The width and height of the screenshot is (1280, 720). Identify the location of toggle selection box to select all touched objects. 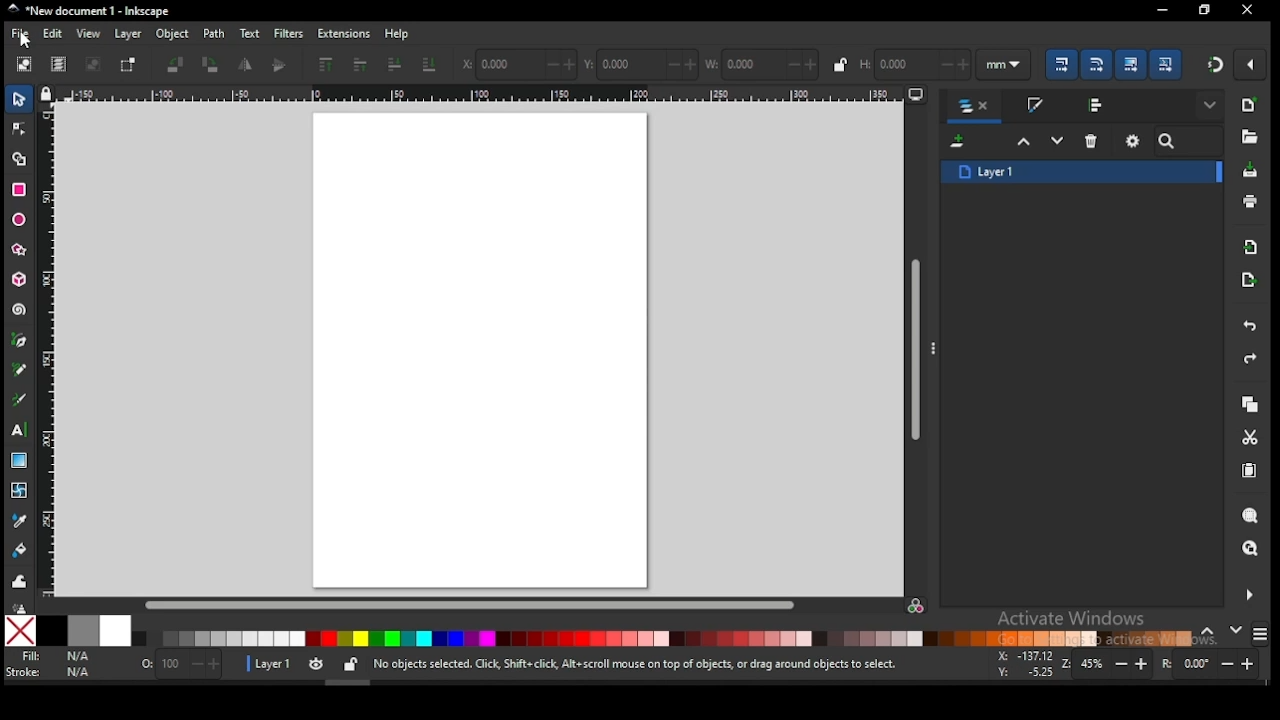
(128, 65).